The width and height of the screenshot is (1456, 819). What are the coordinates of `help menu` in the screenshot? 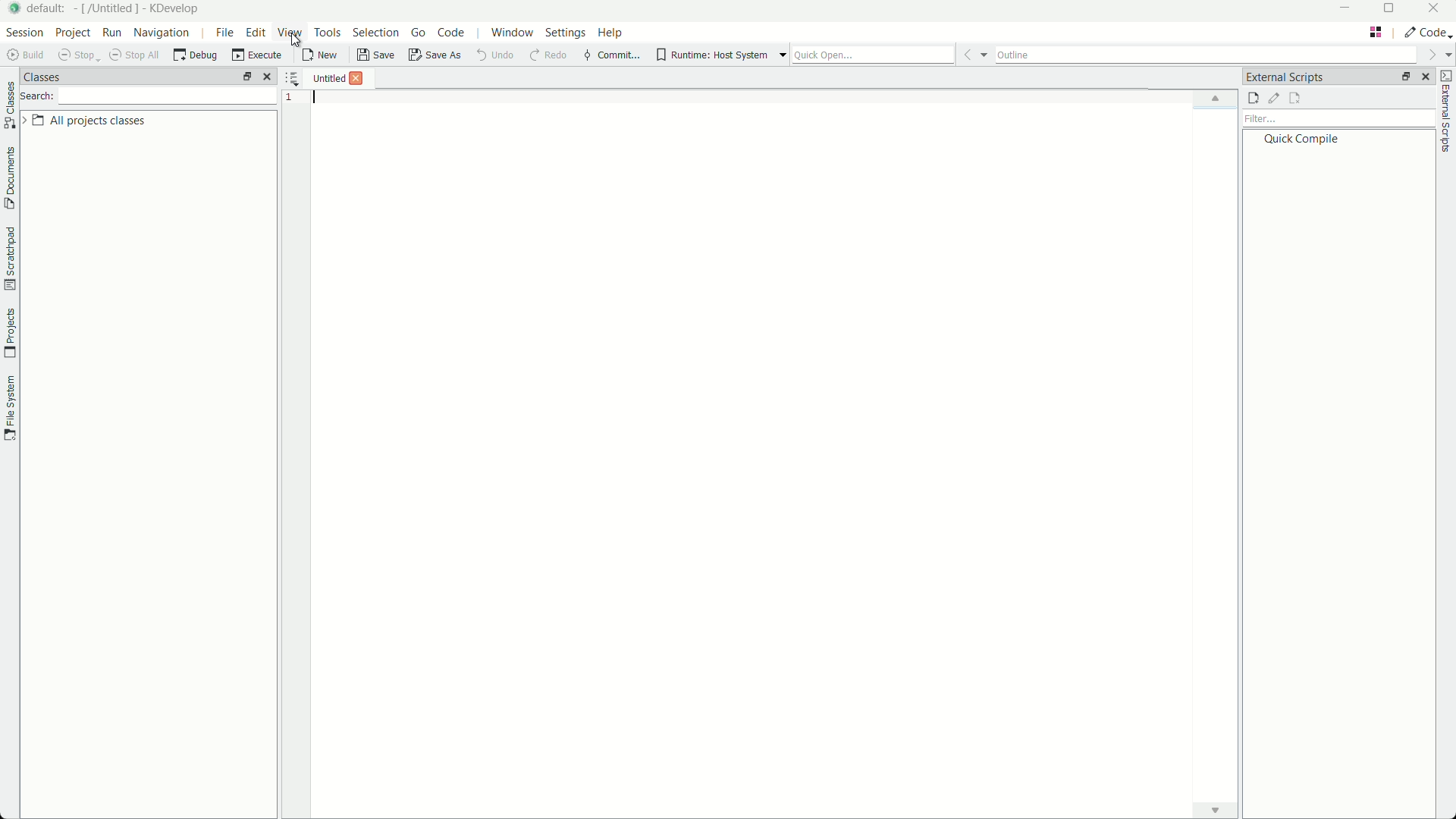 It's located at (610, 33).